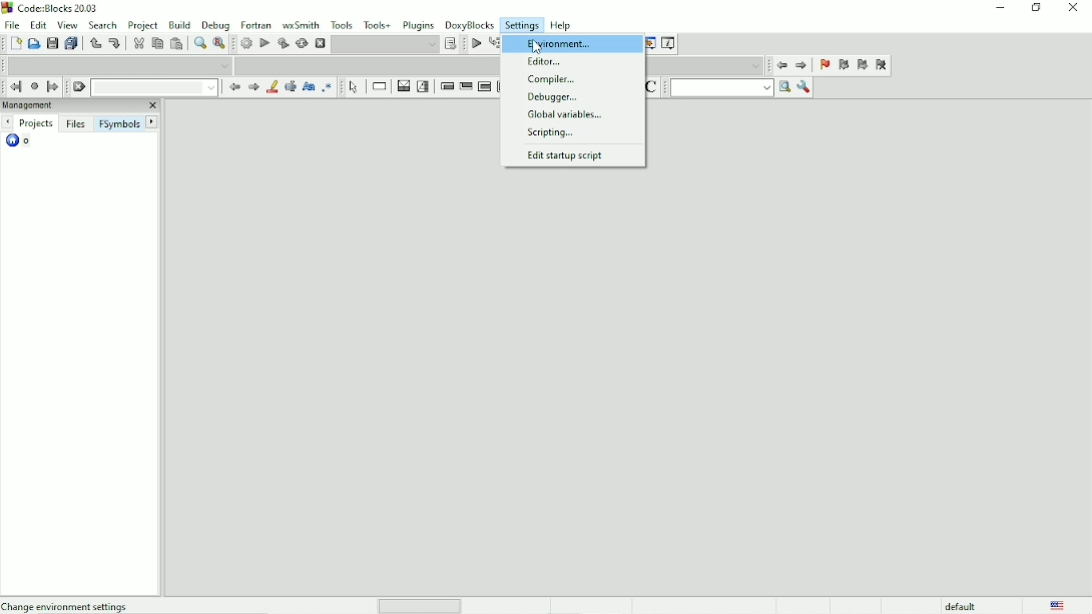 This screenshot has width=1092, height=614. I want to click on Settings, so click(523, 24).